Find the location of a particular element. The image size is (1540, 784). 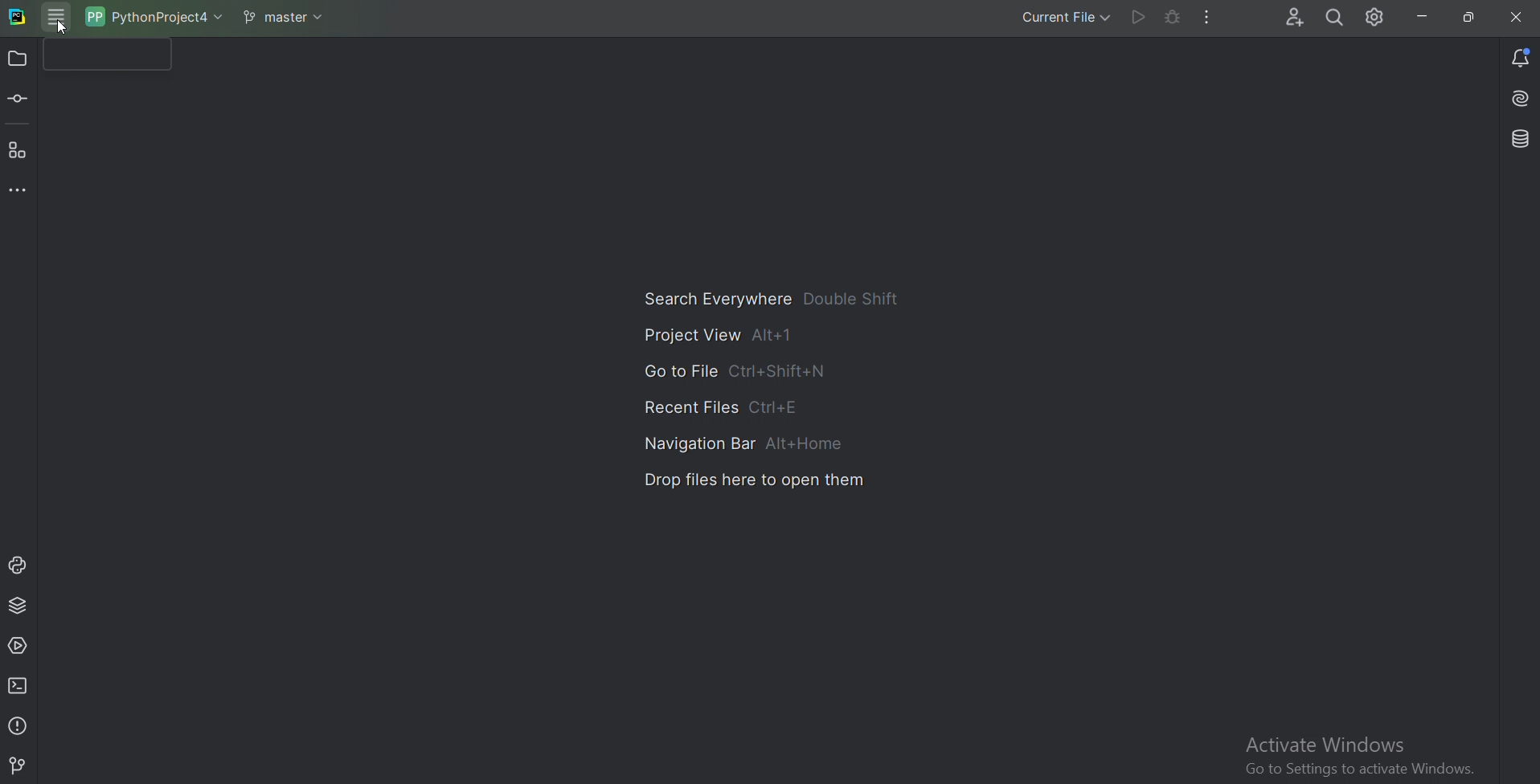

Notifications is located at coordinates (1519, 55).